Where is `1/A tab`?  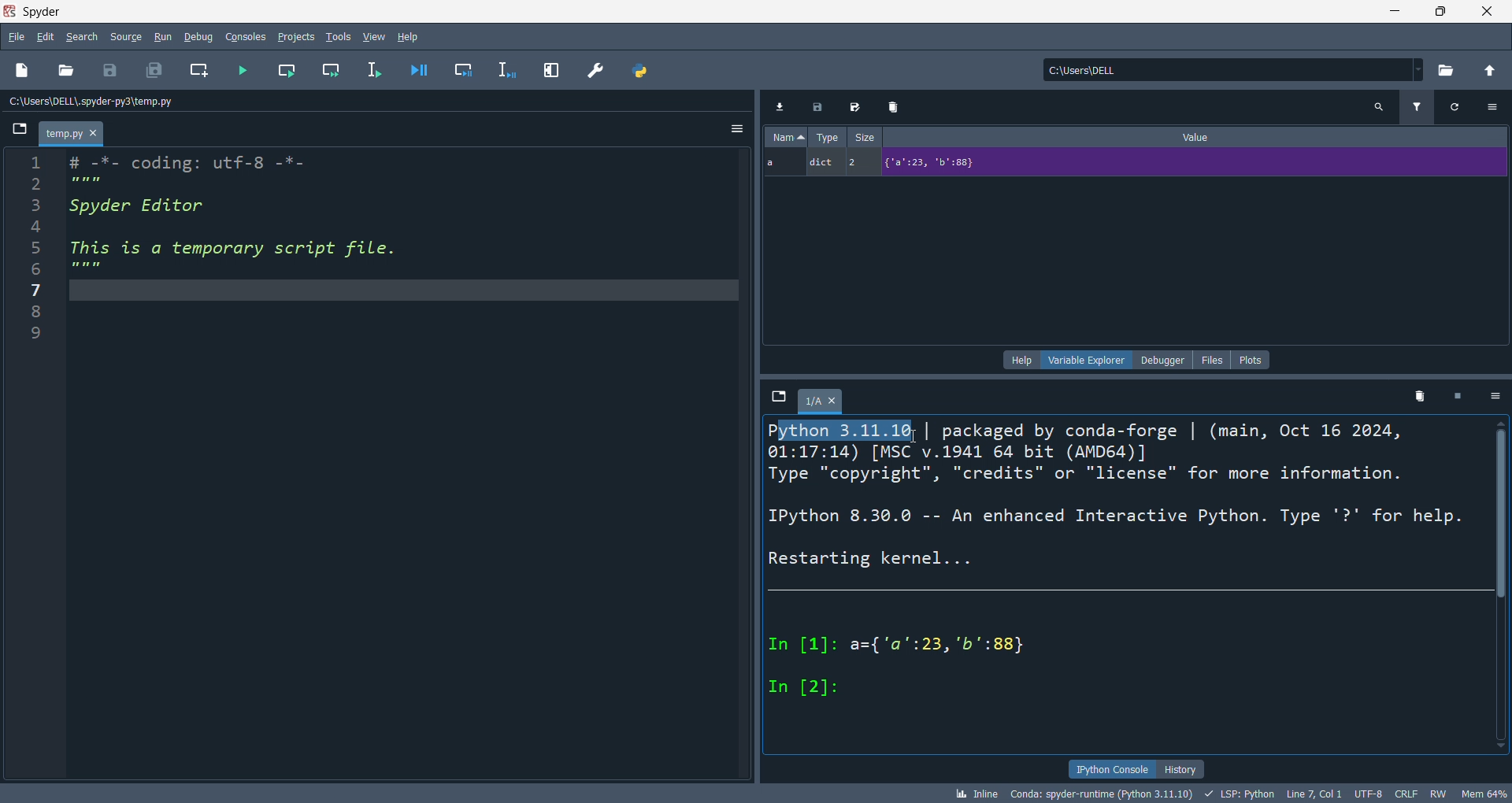
1/A tab is located at coordinates (825, 404).